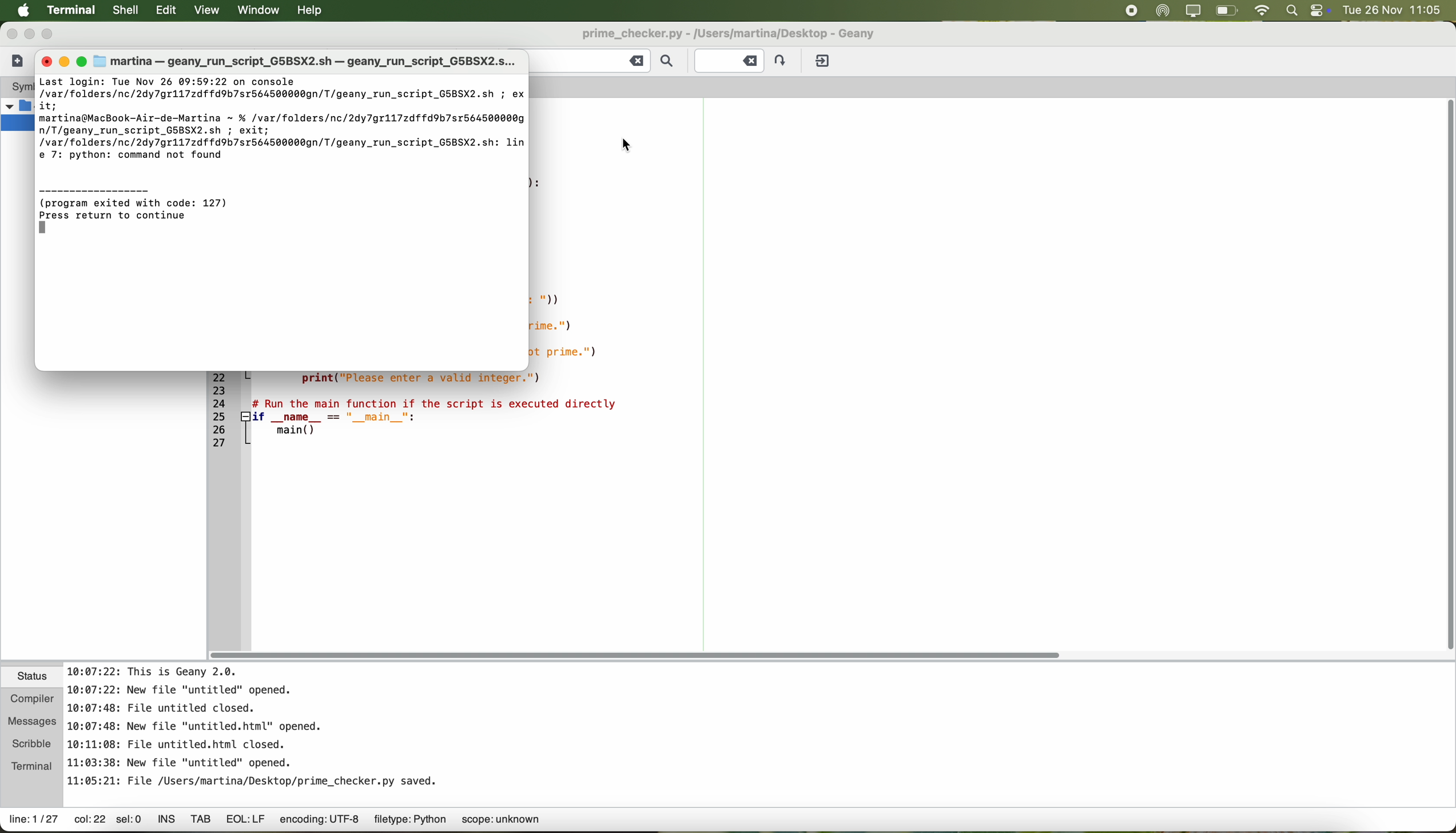 The height and width of the screenshot is (833, 1456). Describe the element at coordinates (742, 59) in the screenshot. I see `Jump to the entered line number` at that location.